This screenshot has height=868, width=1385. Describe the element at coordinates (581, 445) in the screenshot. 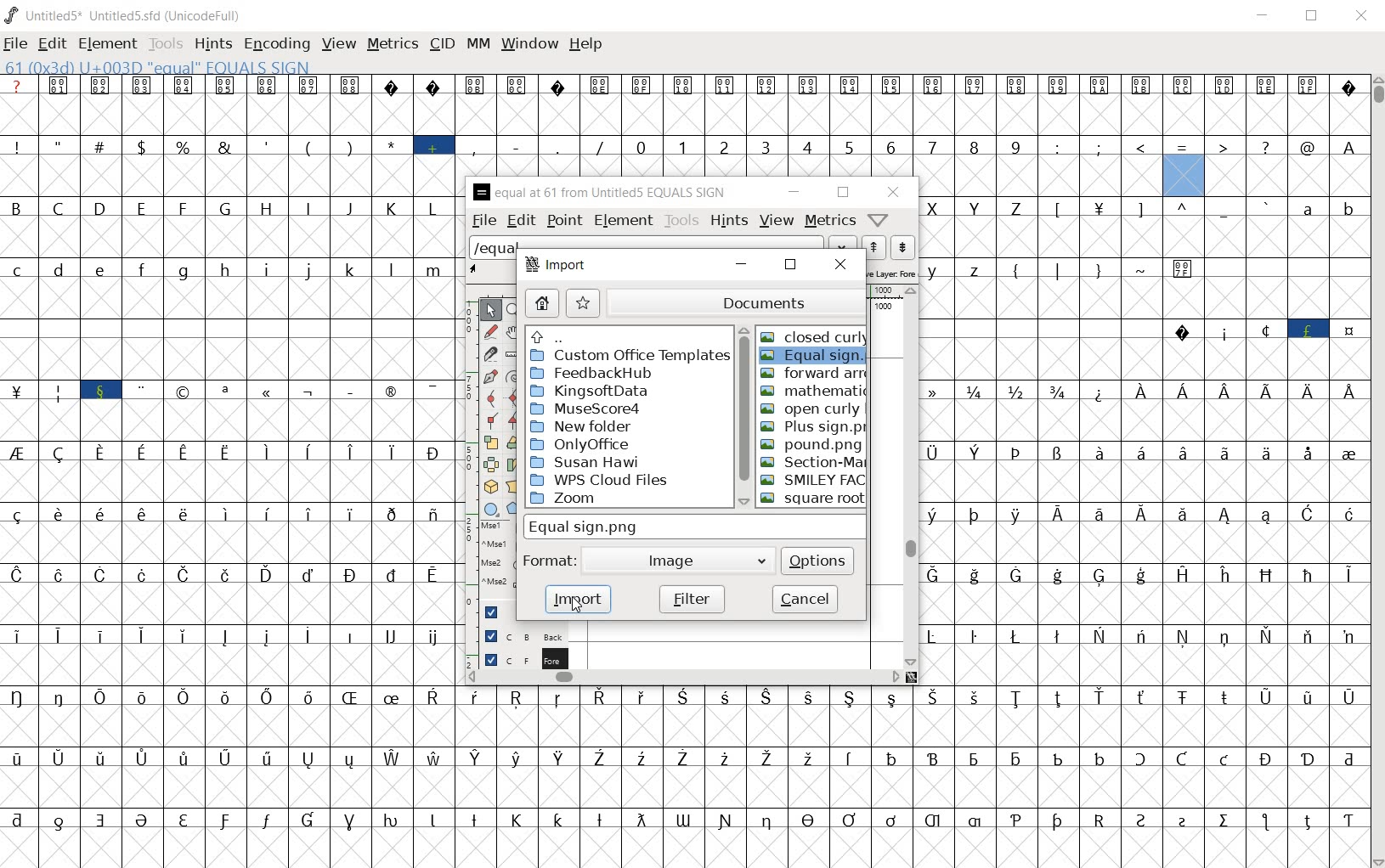

I see `ONLYOFFICE` at that location.